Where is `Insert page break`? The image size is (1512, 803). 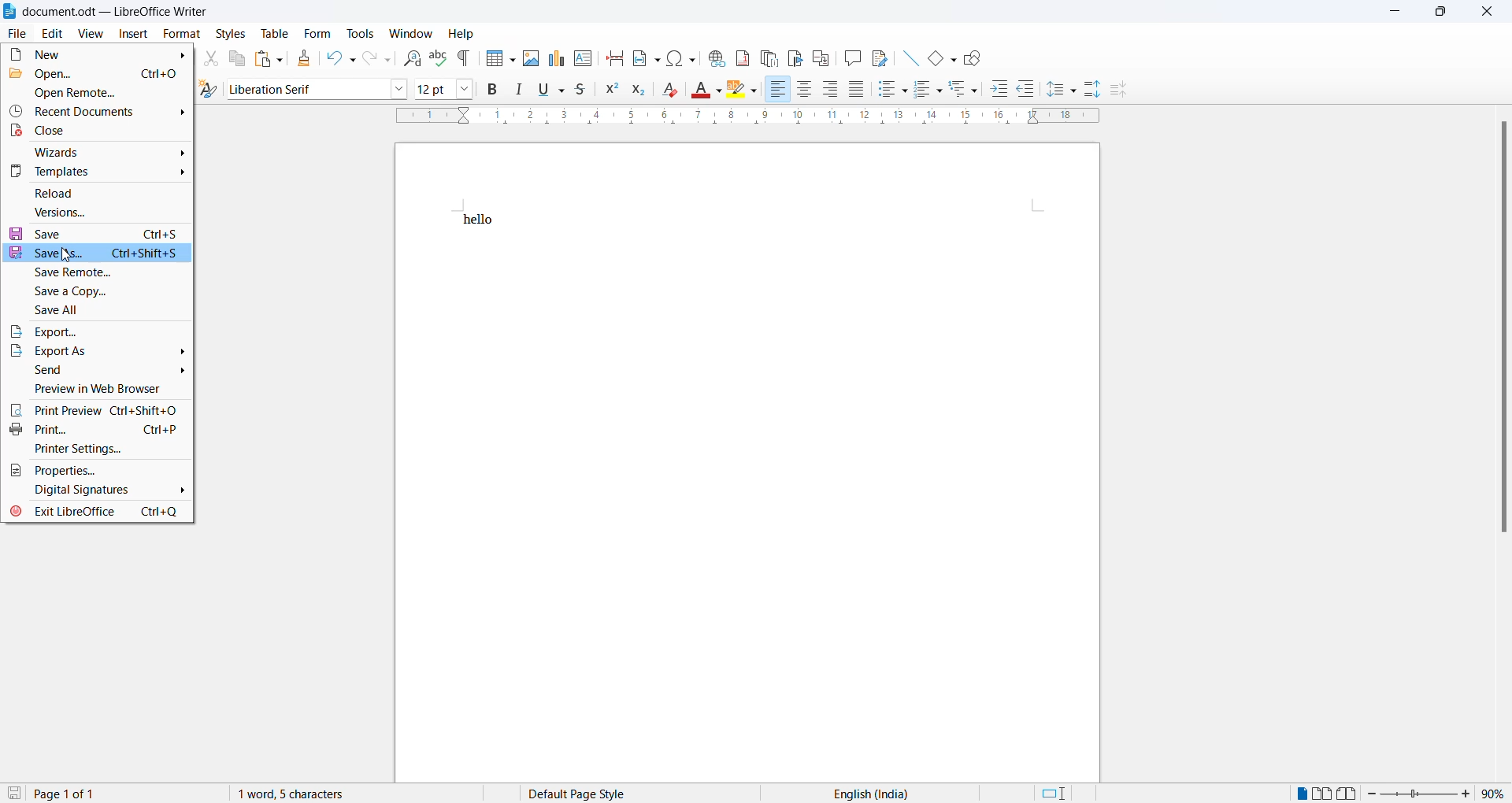
Insert page break is located at coordinates (613, 61).